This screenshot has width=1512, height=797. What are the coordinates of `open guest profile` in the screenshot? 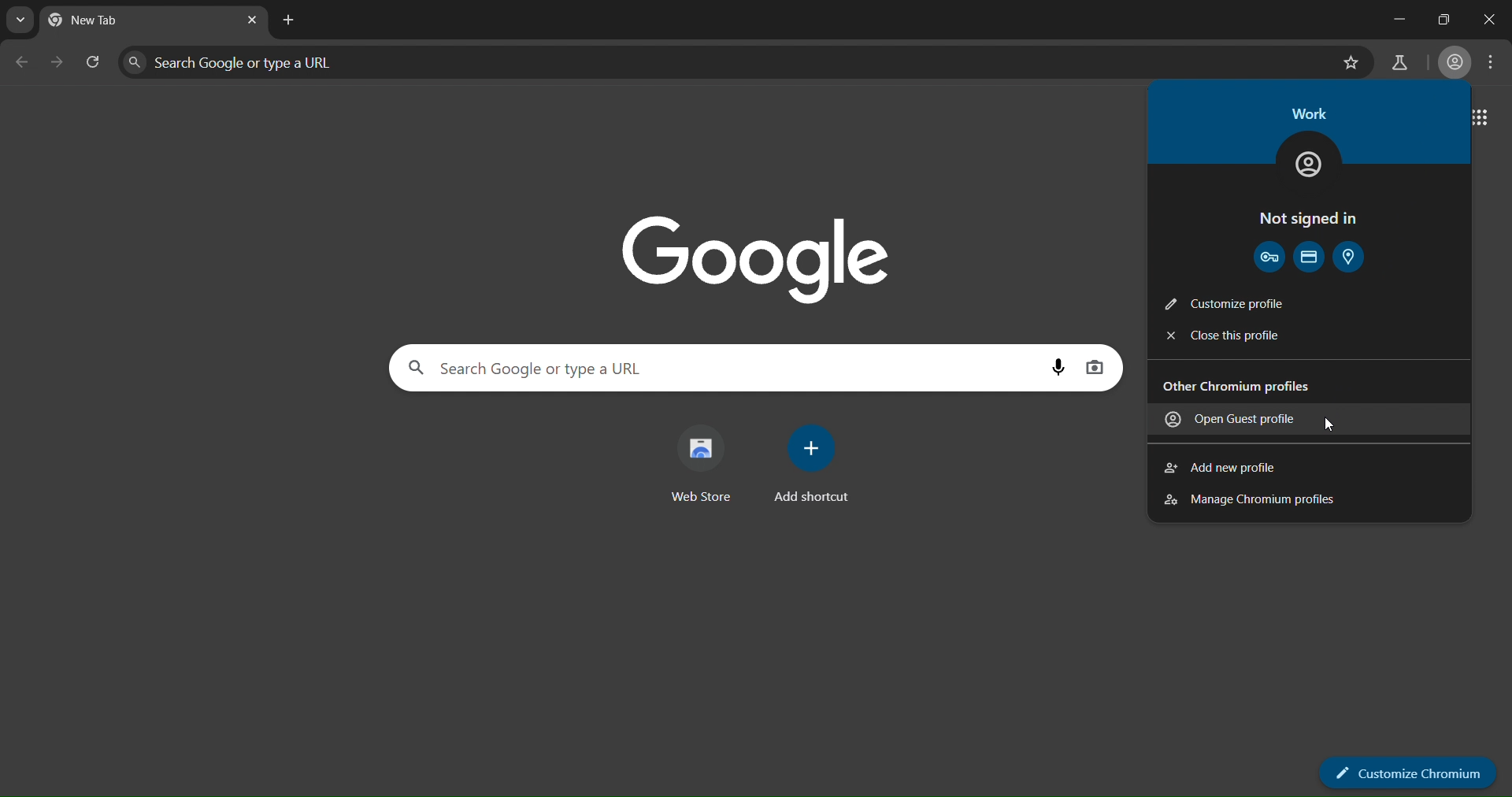 It's located at (1244, 418).